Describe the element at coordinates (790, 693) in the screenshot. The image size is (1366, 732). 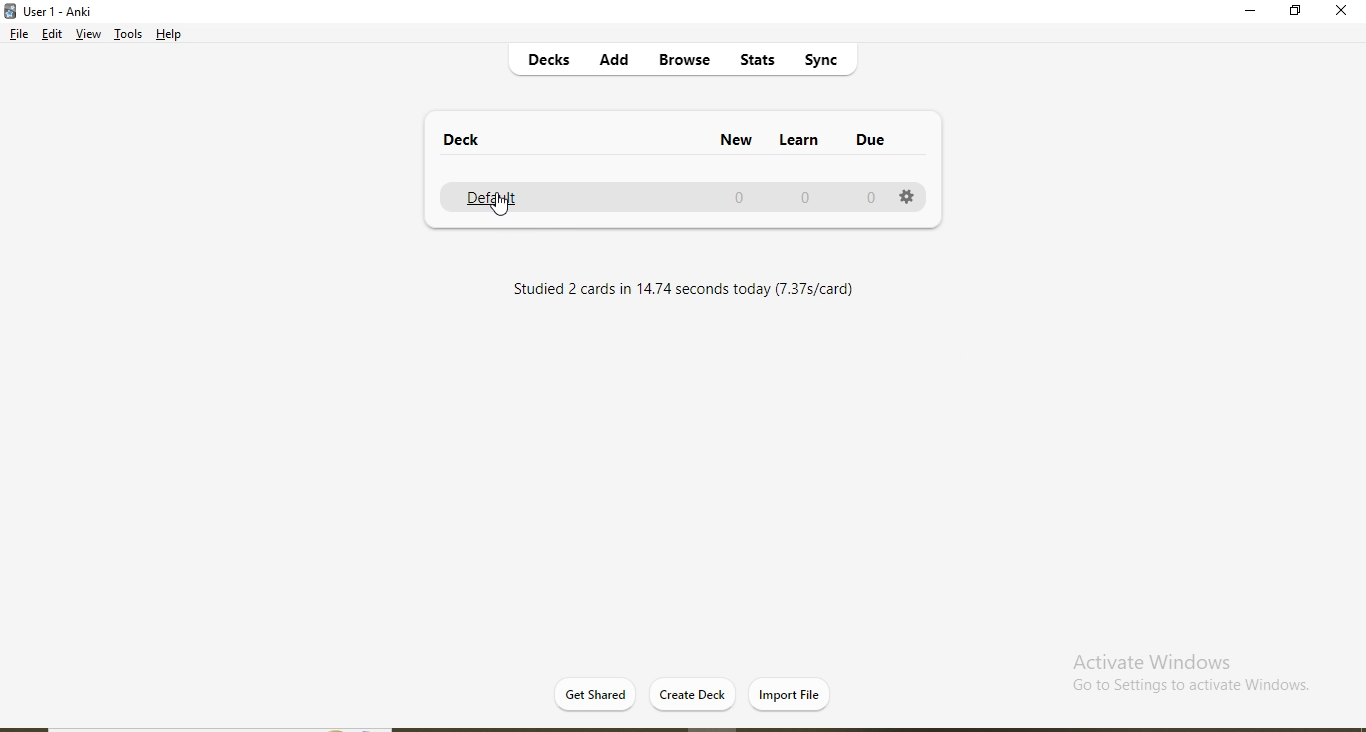
I see `import file` at that location.